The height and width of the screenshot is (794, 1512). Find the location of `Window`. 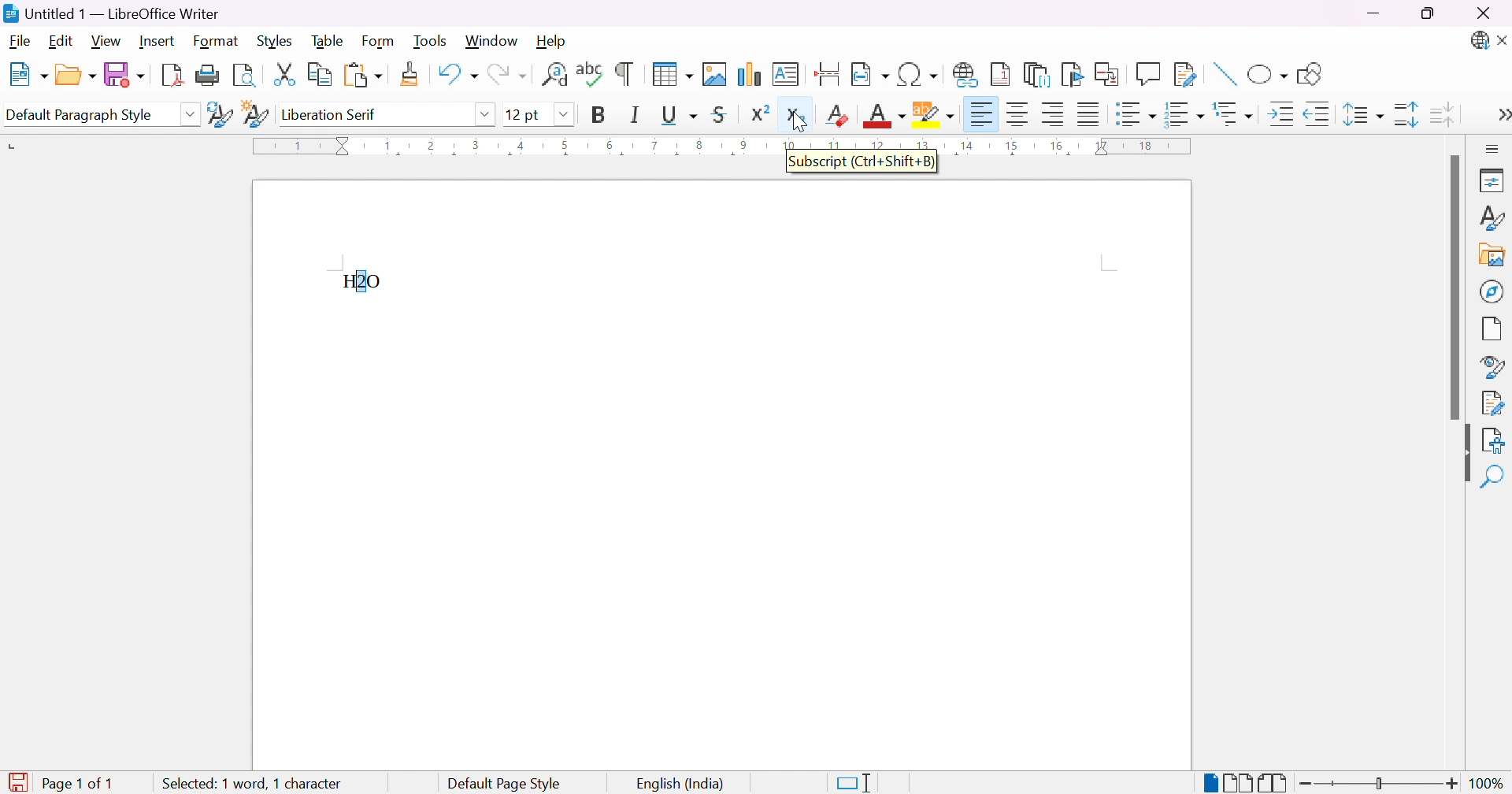

Window is located at coordinates (492, 42).